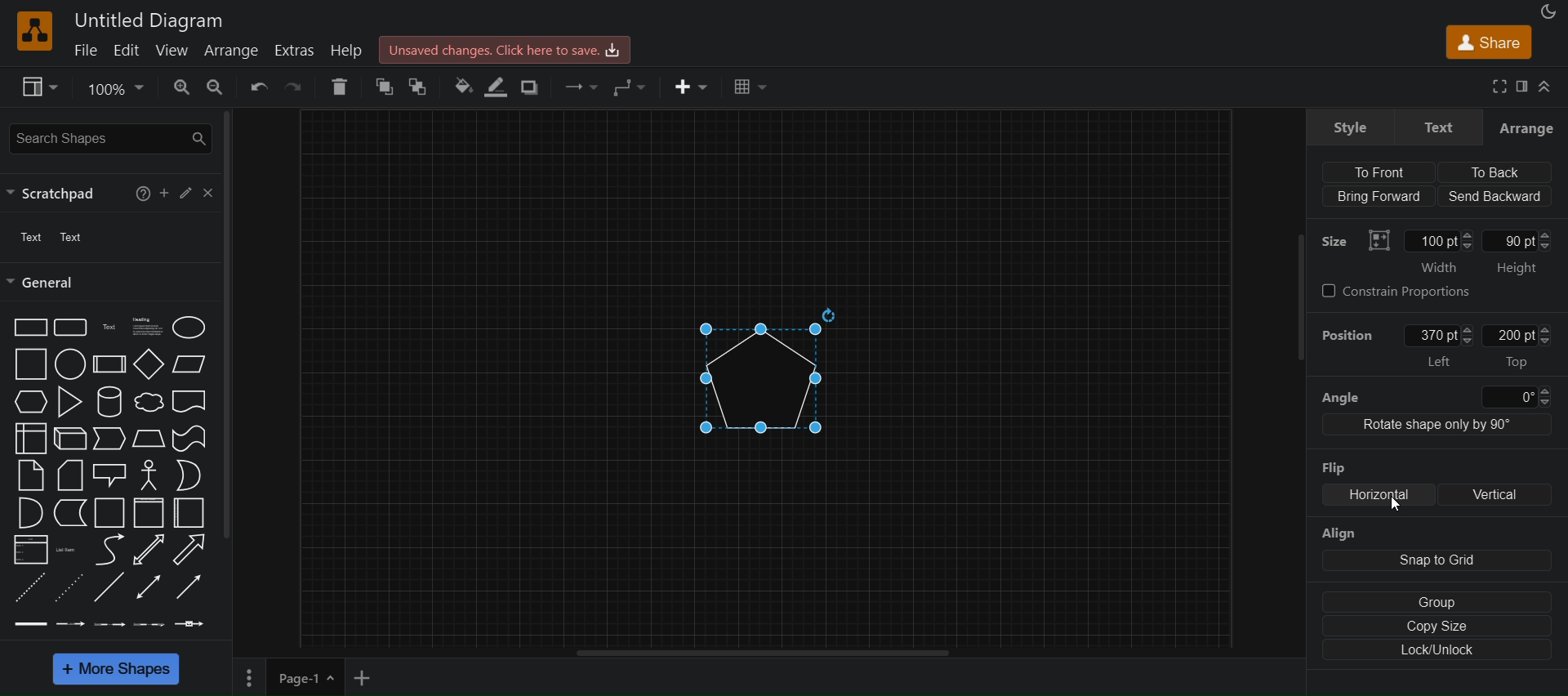 This screenshot has width=1568, height=696. Describe the element at coordinates (35, 31) in the screenshot. I see `Software logo` at that location.